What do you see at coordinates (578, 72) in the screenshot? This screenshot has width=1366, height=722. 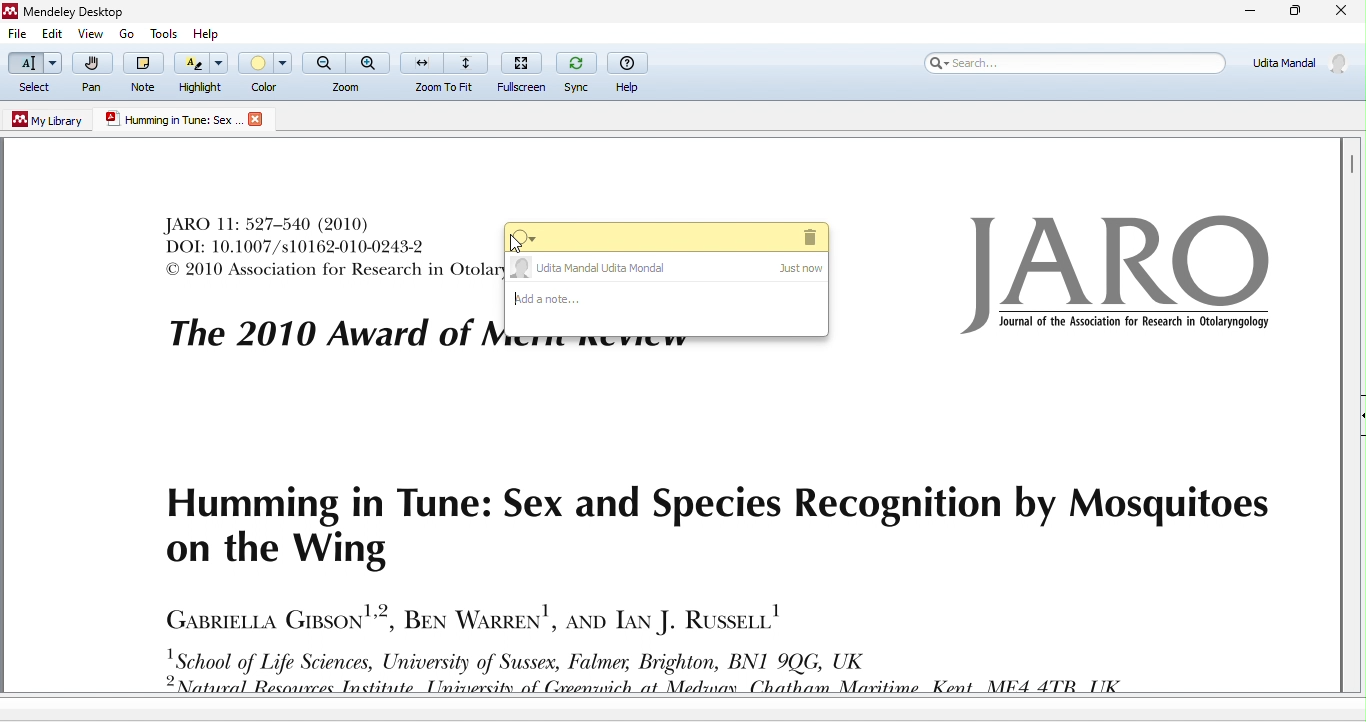 I see `sync` at bounding box center [578, 72].